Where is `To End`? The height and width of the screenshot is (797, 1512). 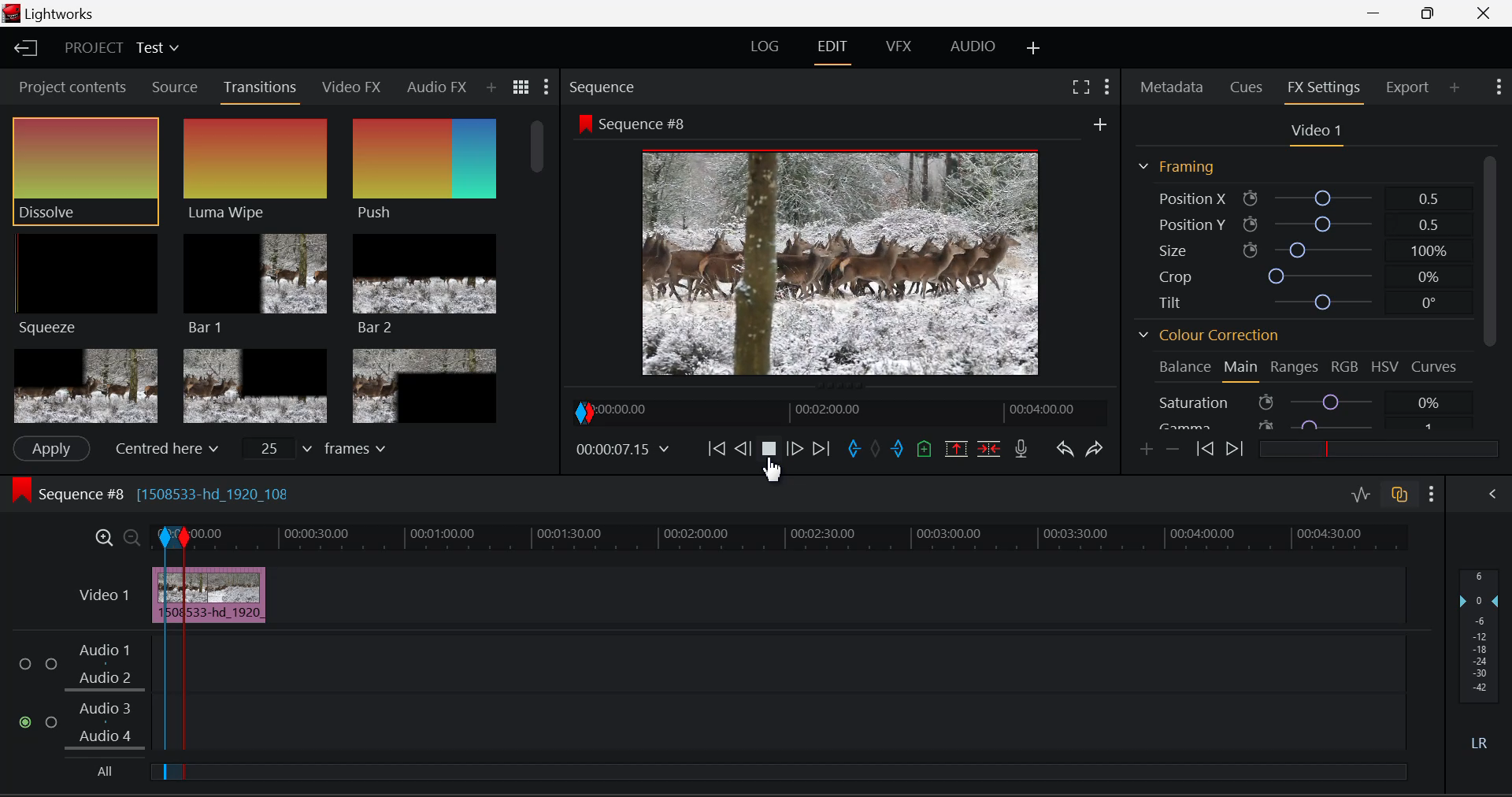 To End is located at coordinates (822, 451).